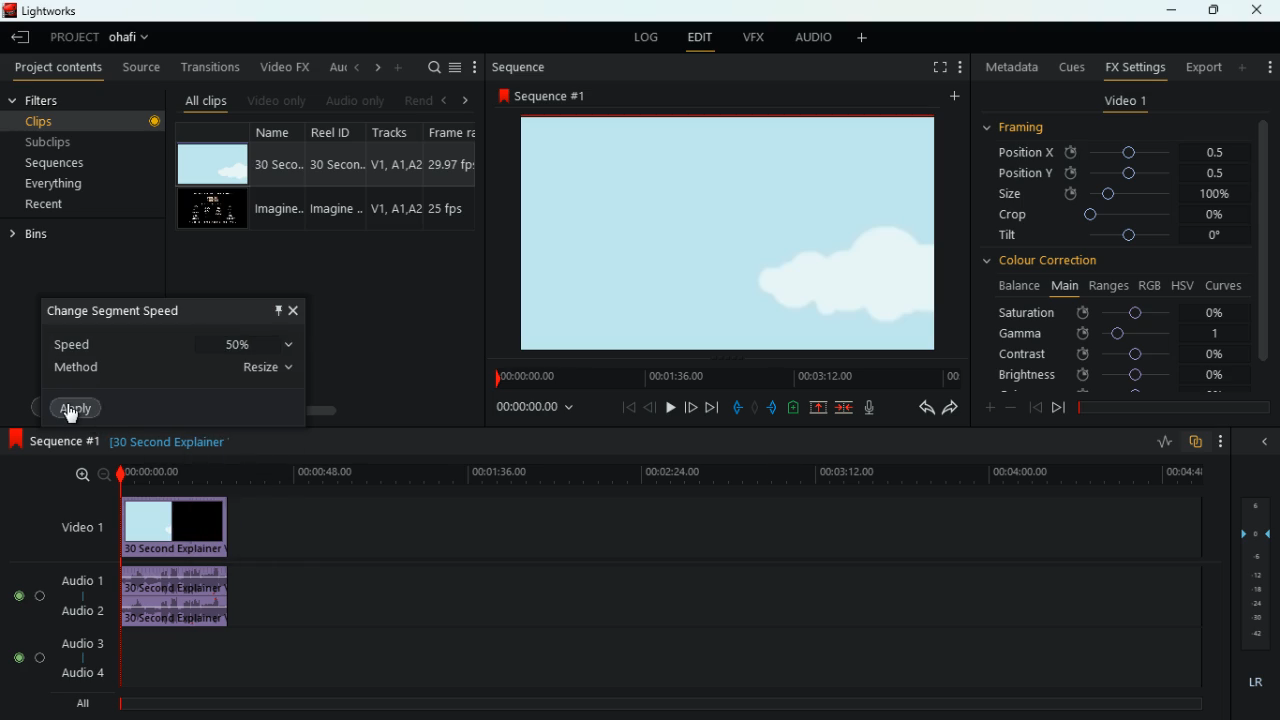 This screenshot has width=1280, height=720. Describe the element at coordinates (650, 407) in the screenshot. I see `back` at that location.